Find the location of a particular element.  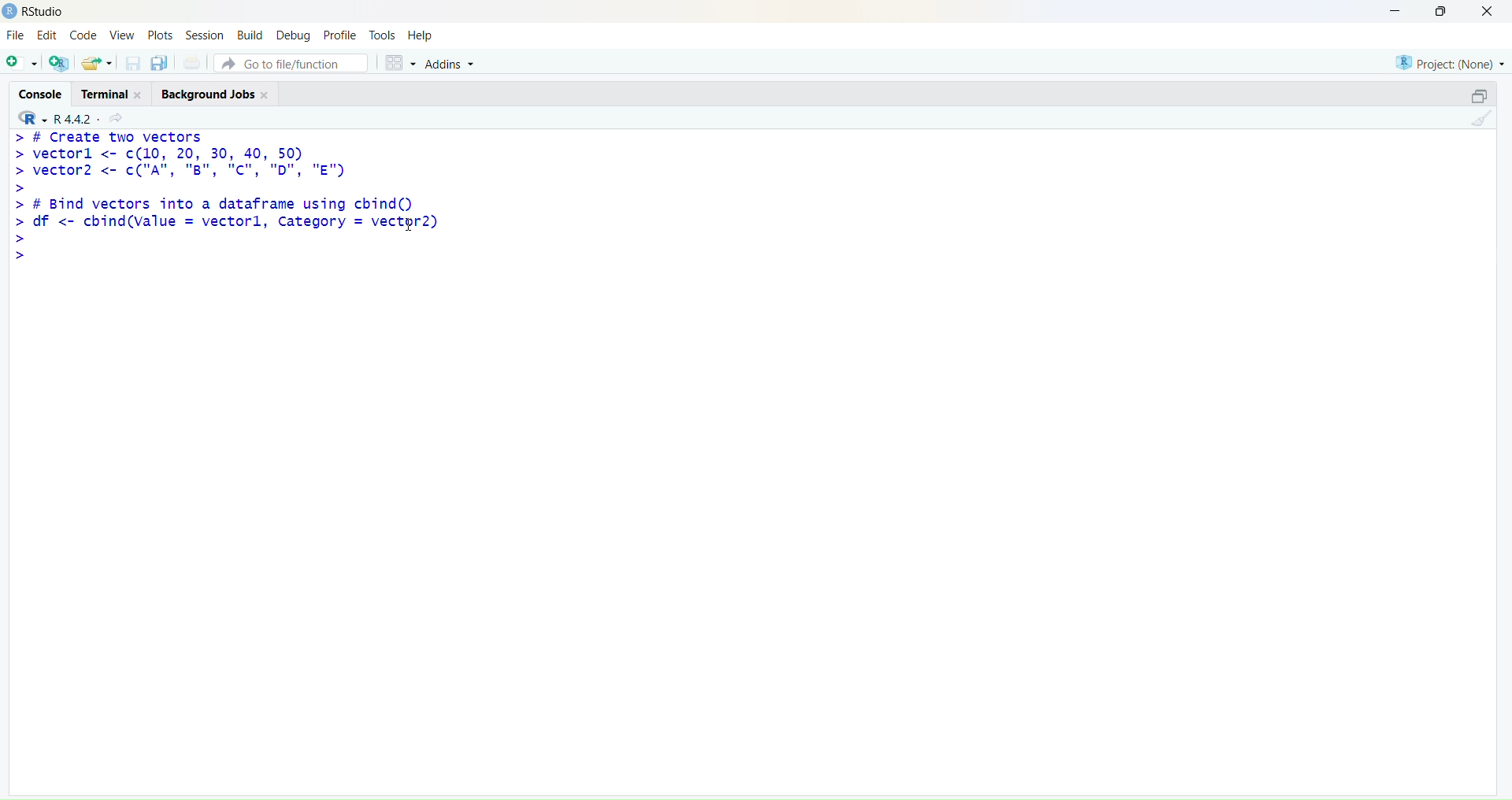

# Create two vectorsvectorl <- c(10, 20, 30, 40, 50)vector2 <- c("A", "B", “C", "D", "E") is located at coordinates (180, 162).